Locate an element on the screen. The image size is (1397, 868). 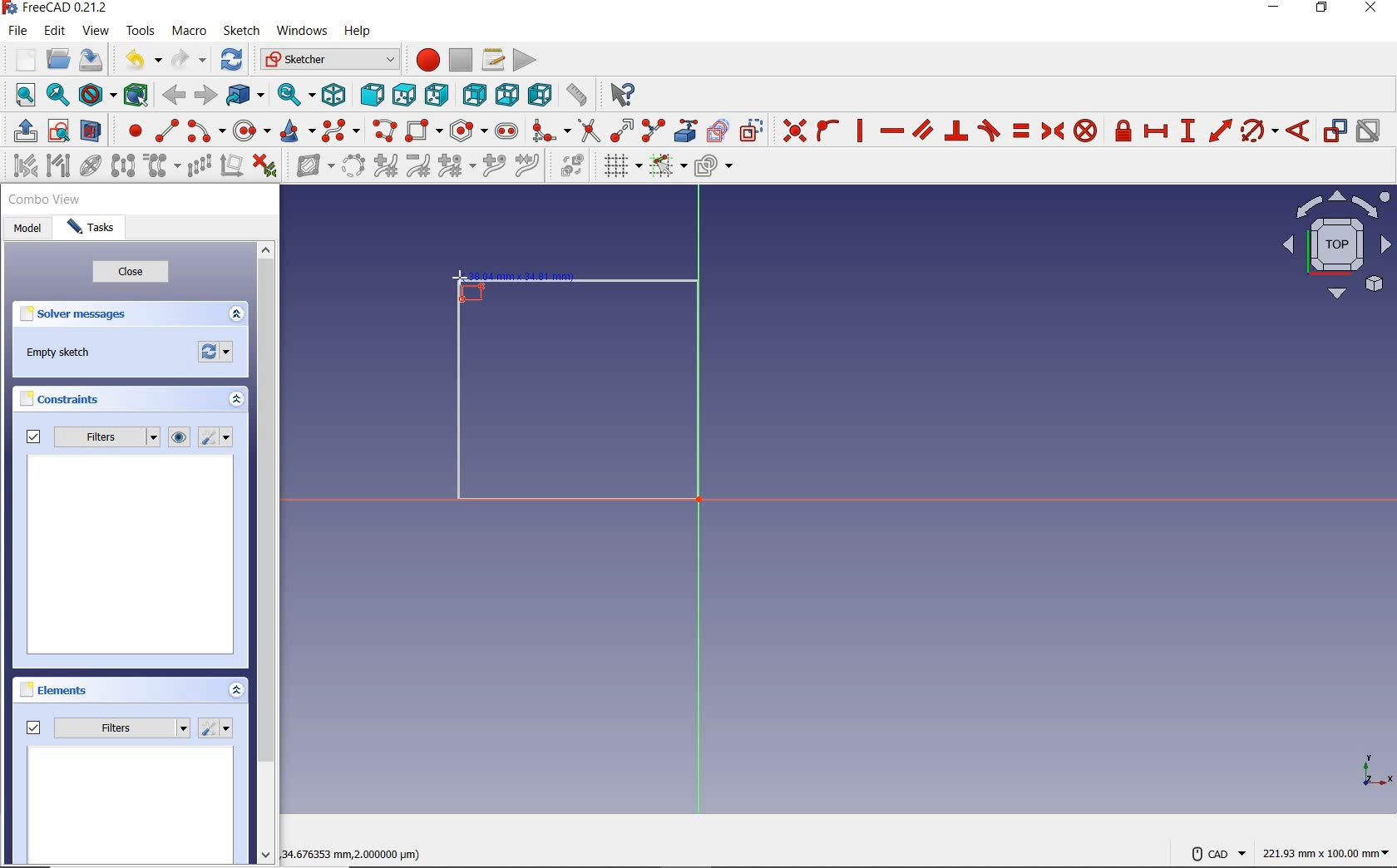
right is located at coordinates (439, 96).